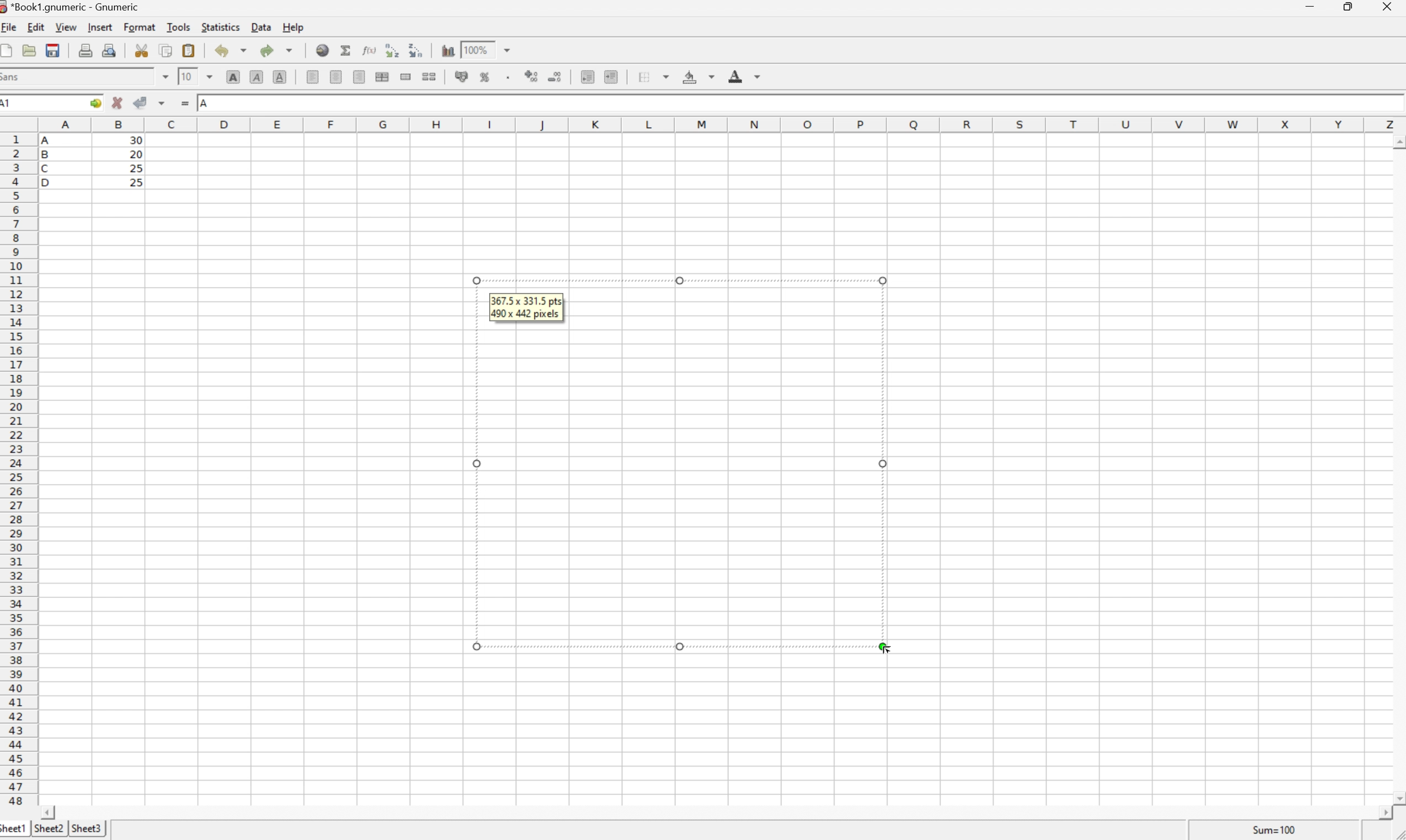 This screenshot has height=840, width=1406. Describe the element at coordinates (721, 123) in the screenshot. I see `Column names` at that location.